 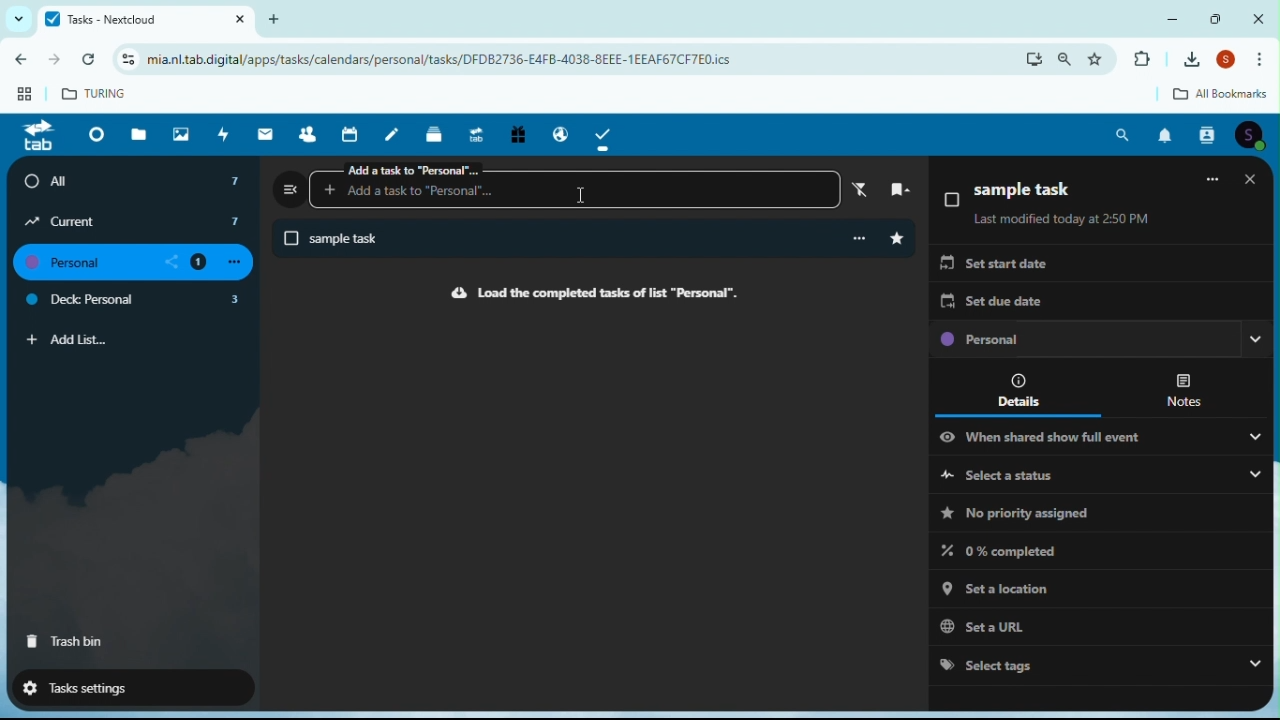 I want to click on Contacts, so click(x=1209, y=135).